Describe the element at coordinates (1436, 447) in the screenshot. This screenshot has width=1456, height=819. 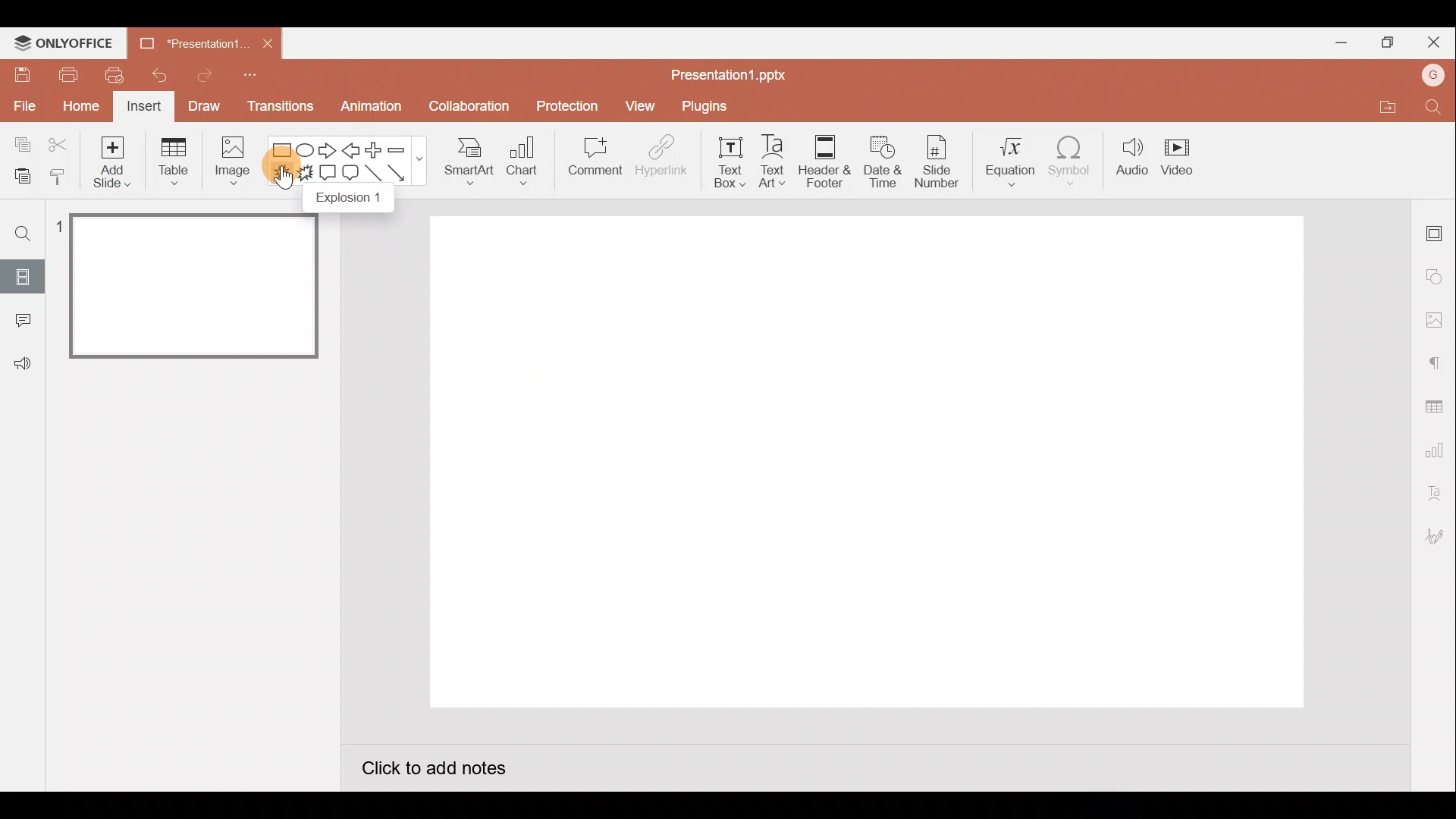
I see `Chart settings` at that location.